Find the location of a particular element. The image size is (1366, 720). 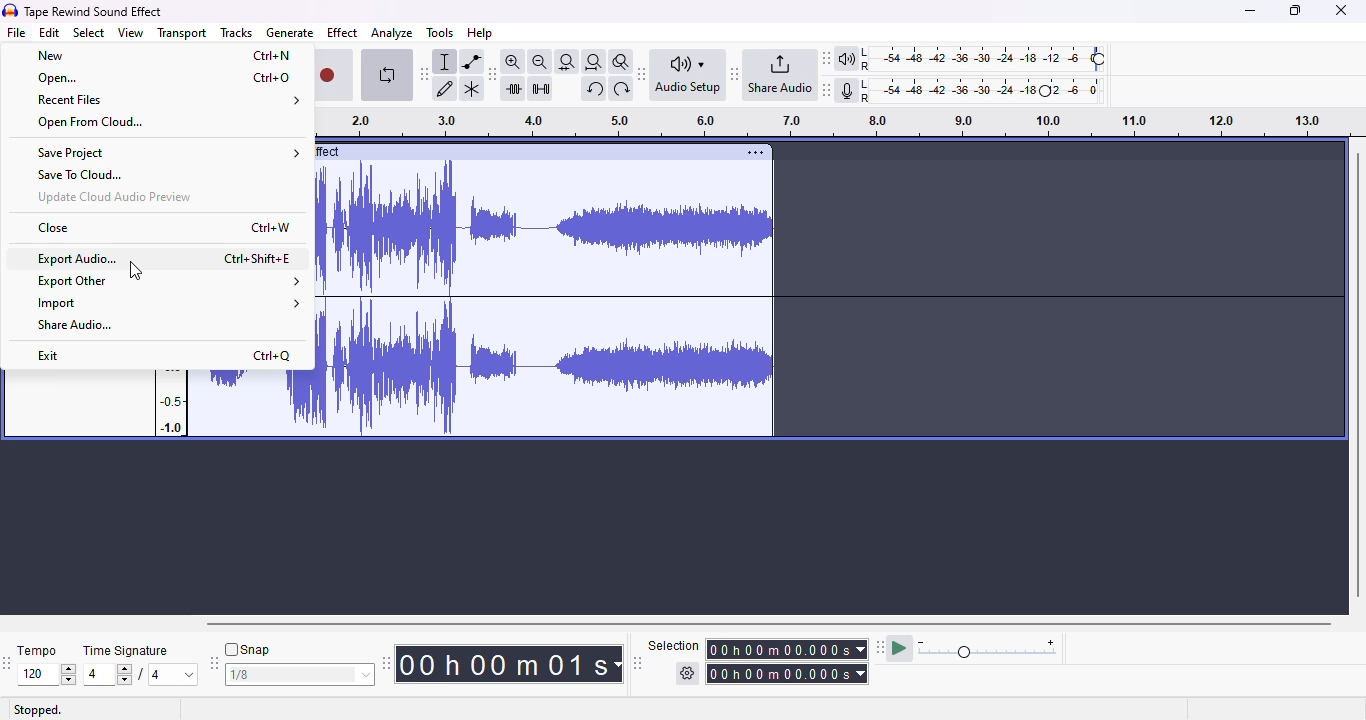

horizontal scrollbar is located at coordinates (769, 623).